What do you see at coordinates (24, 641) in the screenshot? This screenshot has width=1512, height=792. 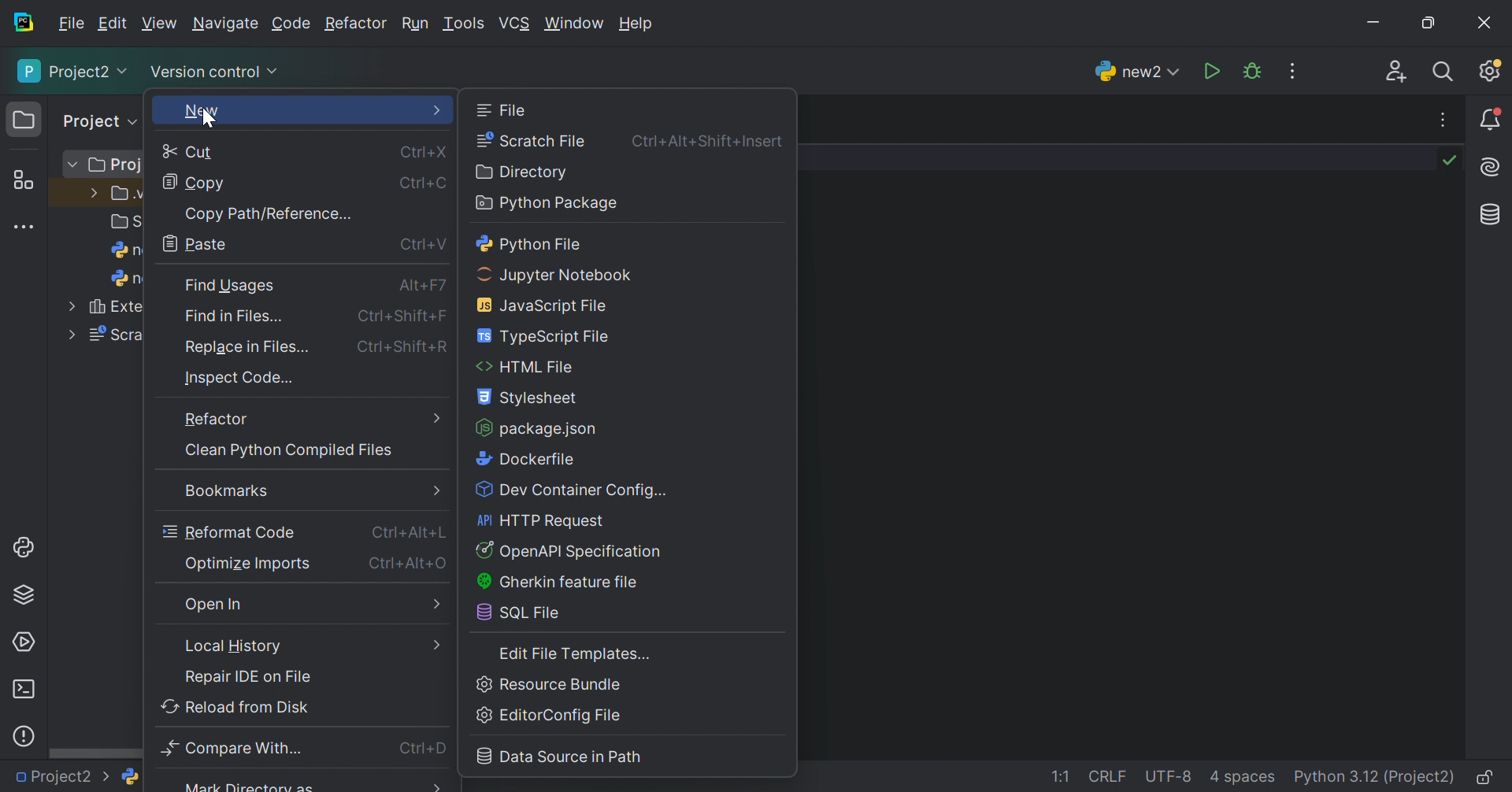 I see `Services` at bounding box center [24, 641].